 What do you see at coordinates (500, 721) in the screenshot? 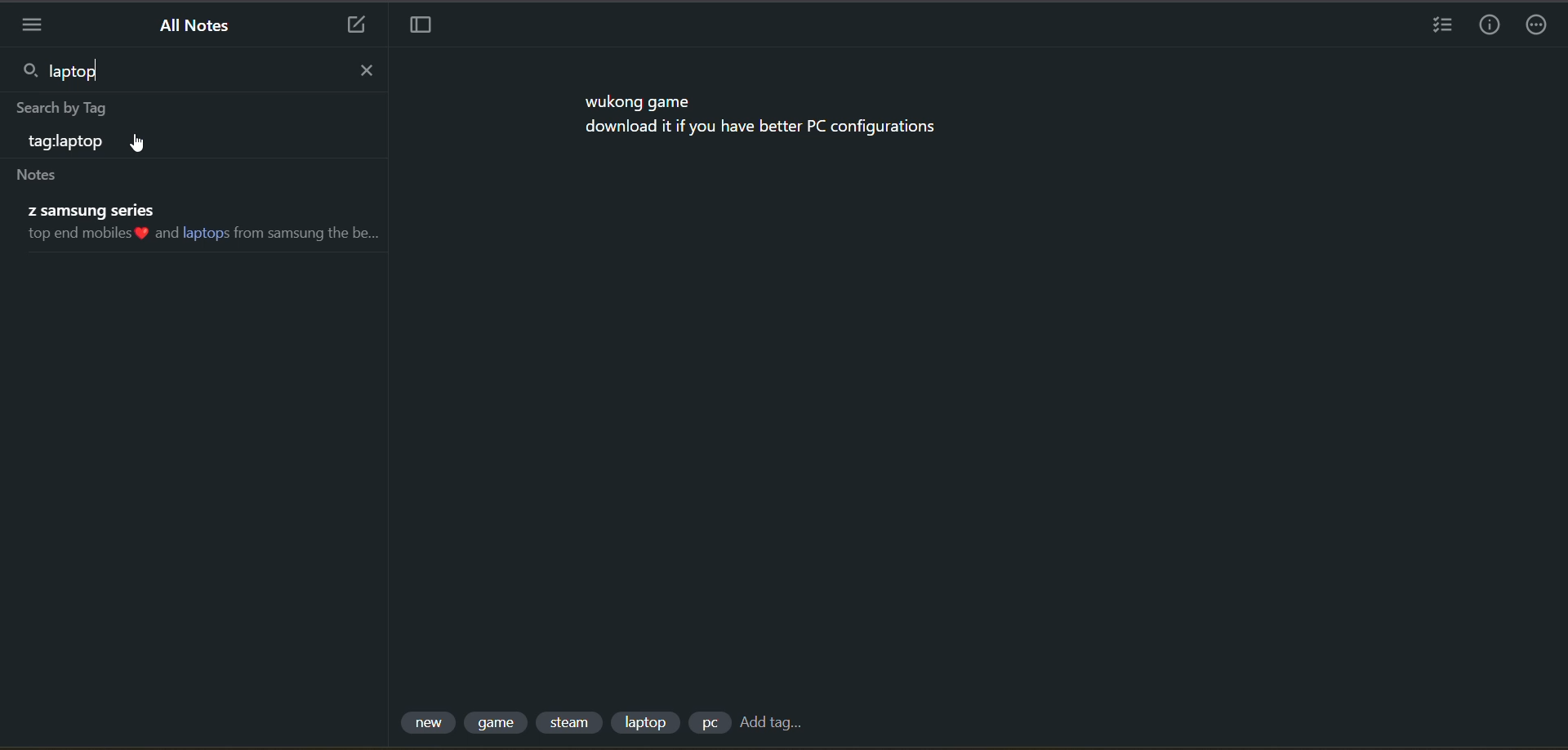
I see `tag 2` at bounding box center [500, 721].